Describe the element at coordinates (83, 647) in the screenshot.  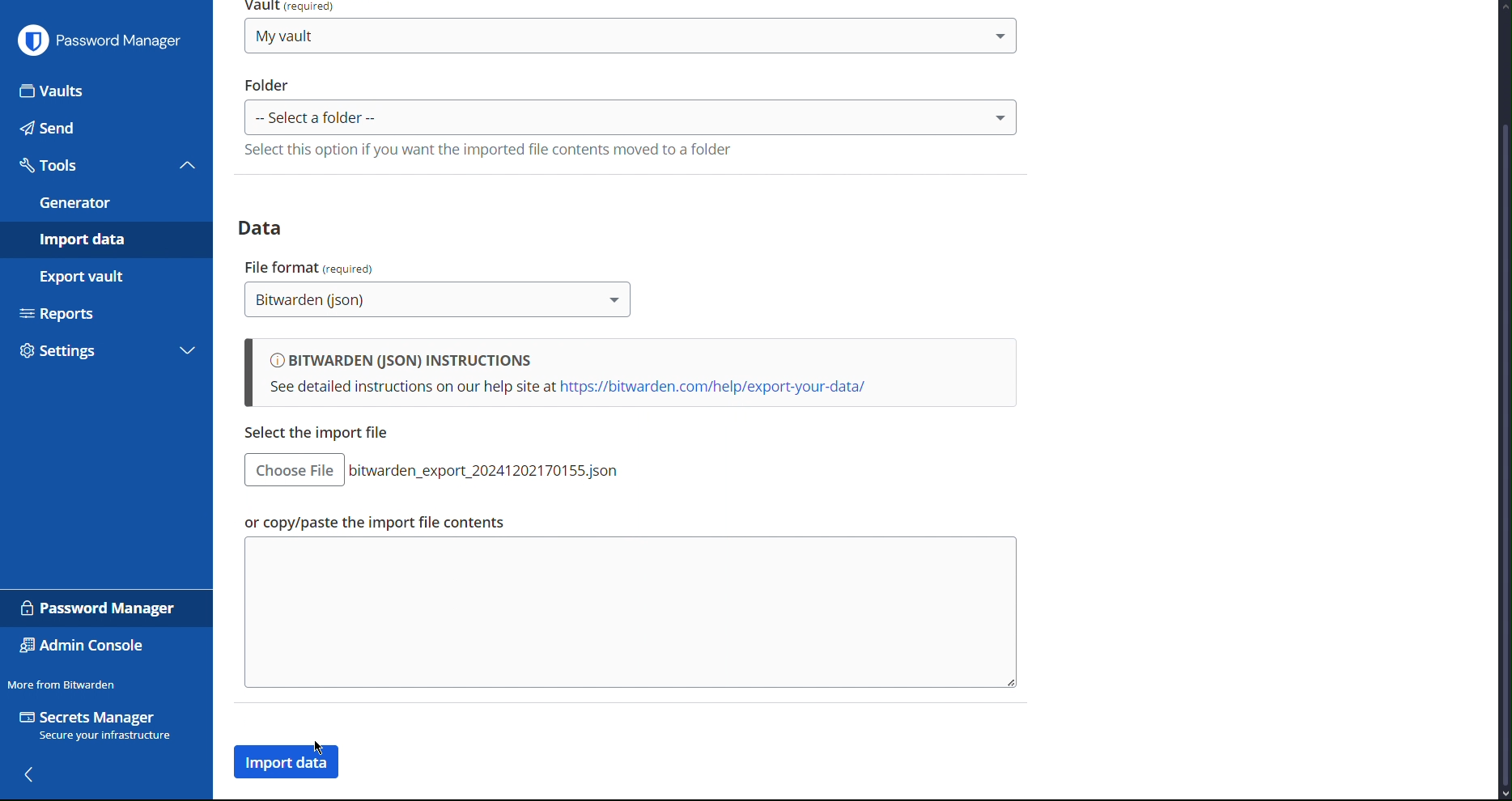
I see `Admin Console` at that location.